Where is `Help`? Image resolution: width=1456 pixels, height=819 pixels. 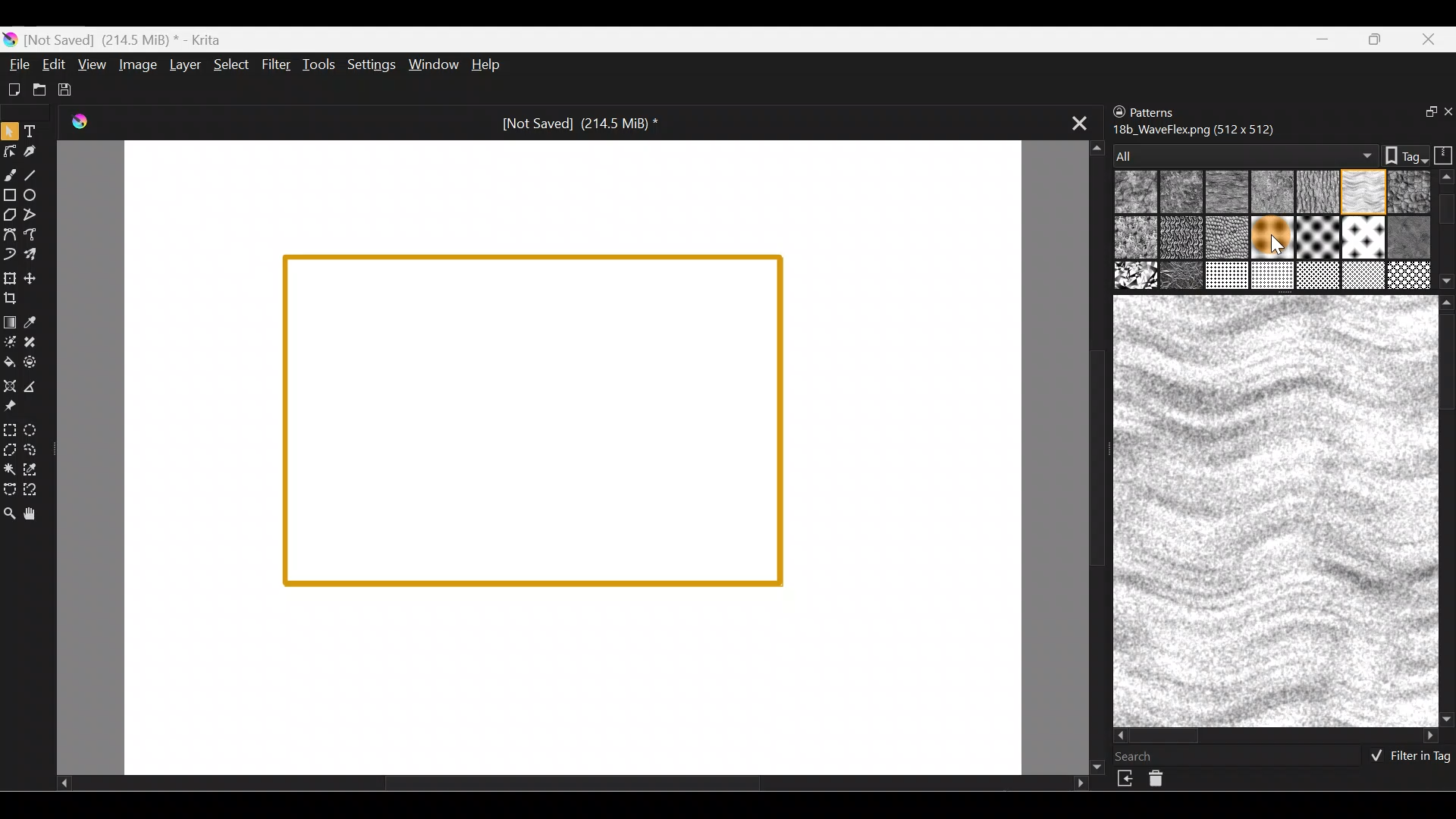
Help is located at coordinates (488, 64).